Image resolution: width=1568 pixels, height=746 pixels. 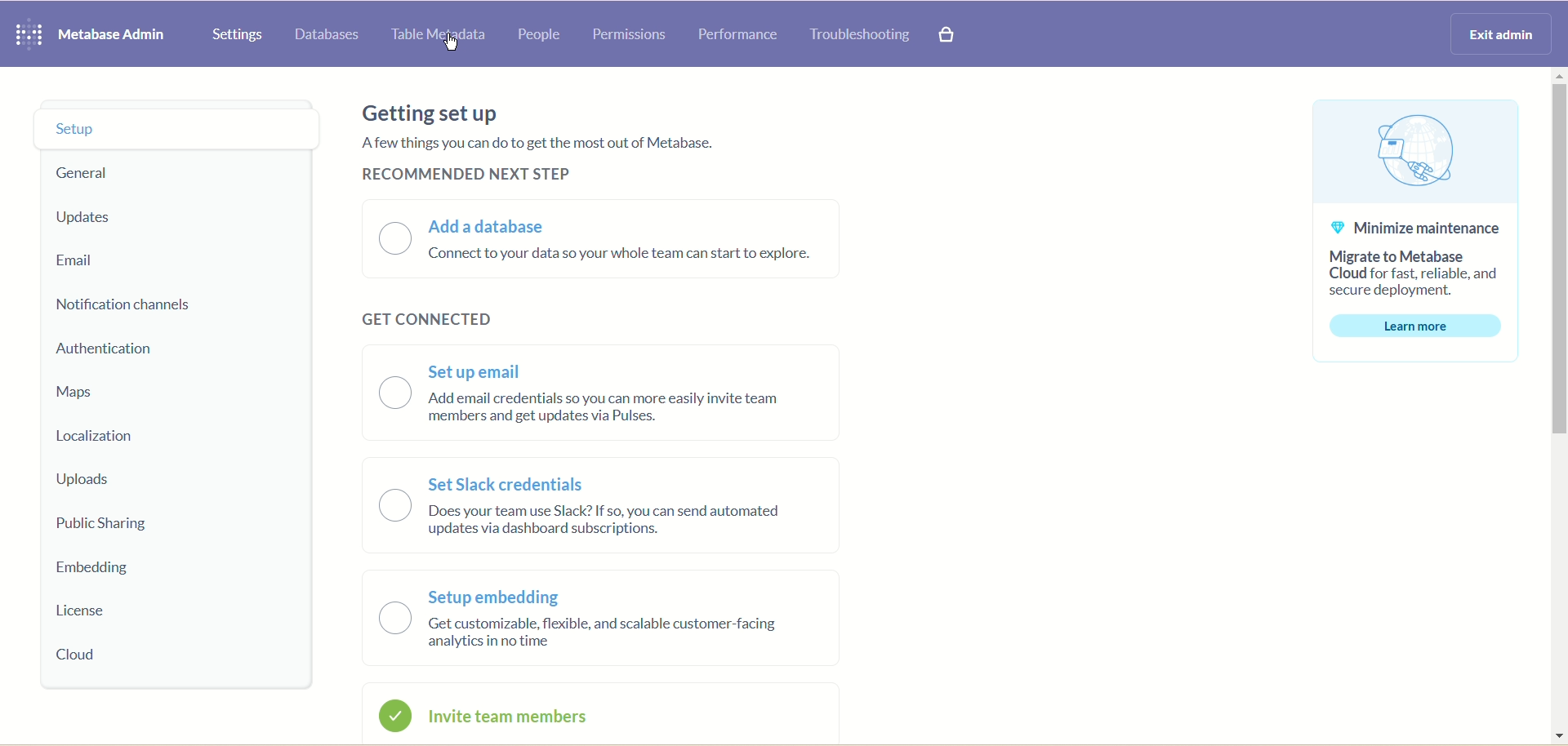 I want to click on Maps, so click(x=122, y=392).